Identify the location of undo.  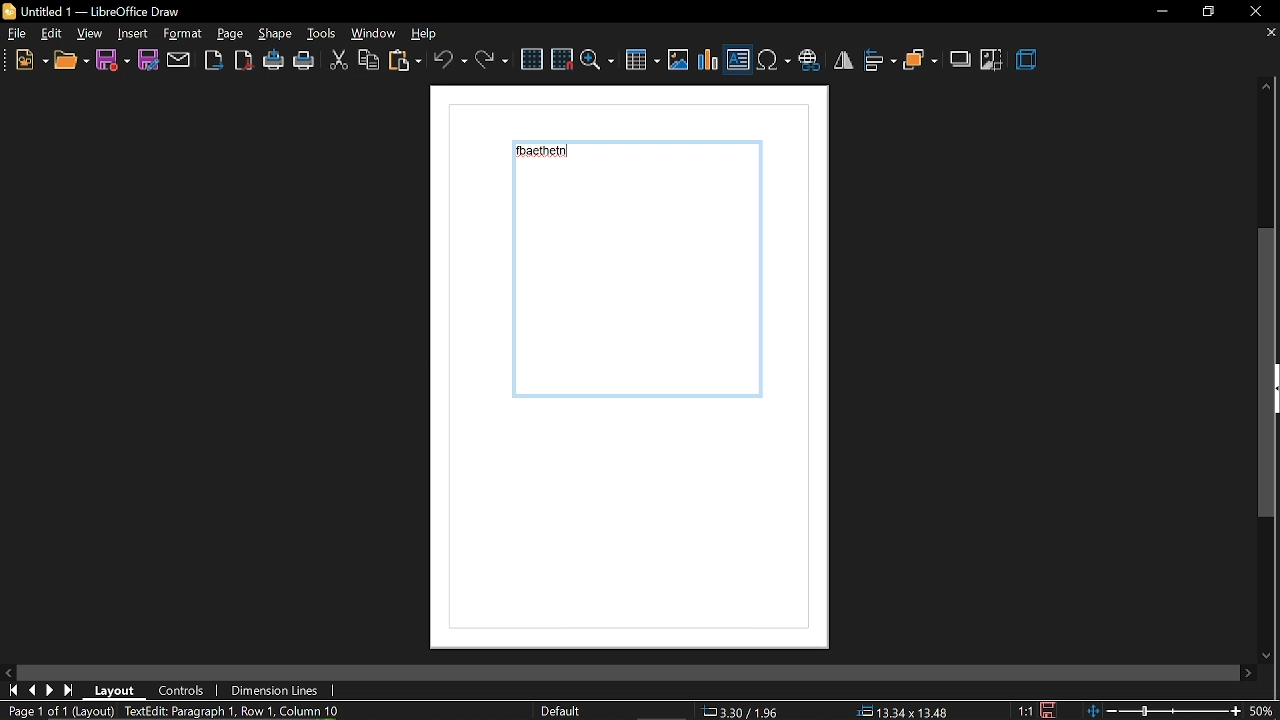
(449, 60).